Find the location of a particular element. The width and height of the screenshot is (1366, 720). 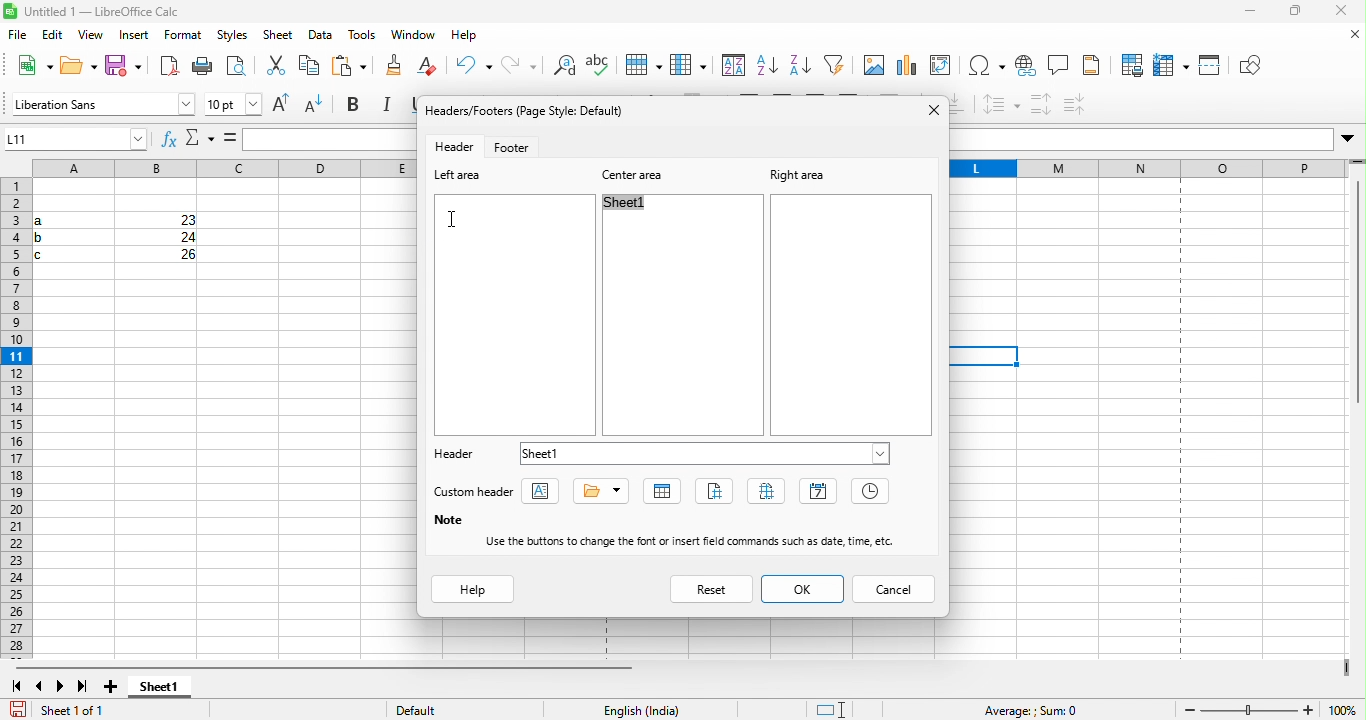

headers and footers is located at coordinates (1095, 67).